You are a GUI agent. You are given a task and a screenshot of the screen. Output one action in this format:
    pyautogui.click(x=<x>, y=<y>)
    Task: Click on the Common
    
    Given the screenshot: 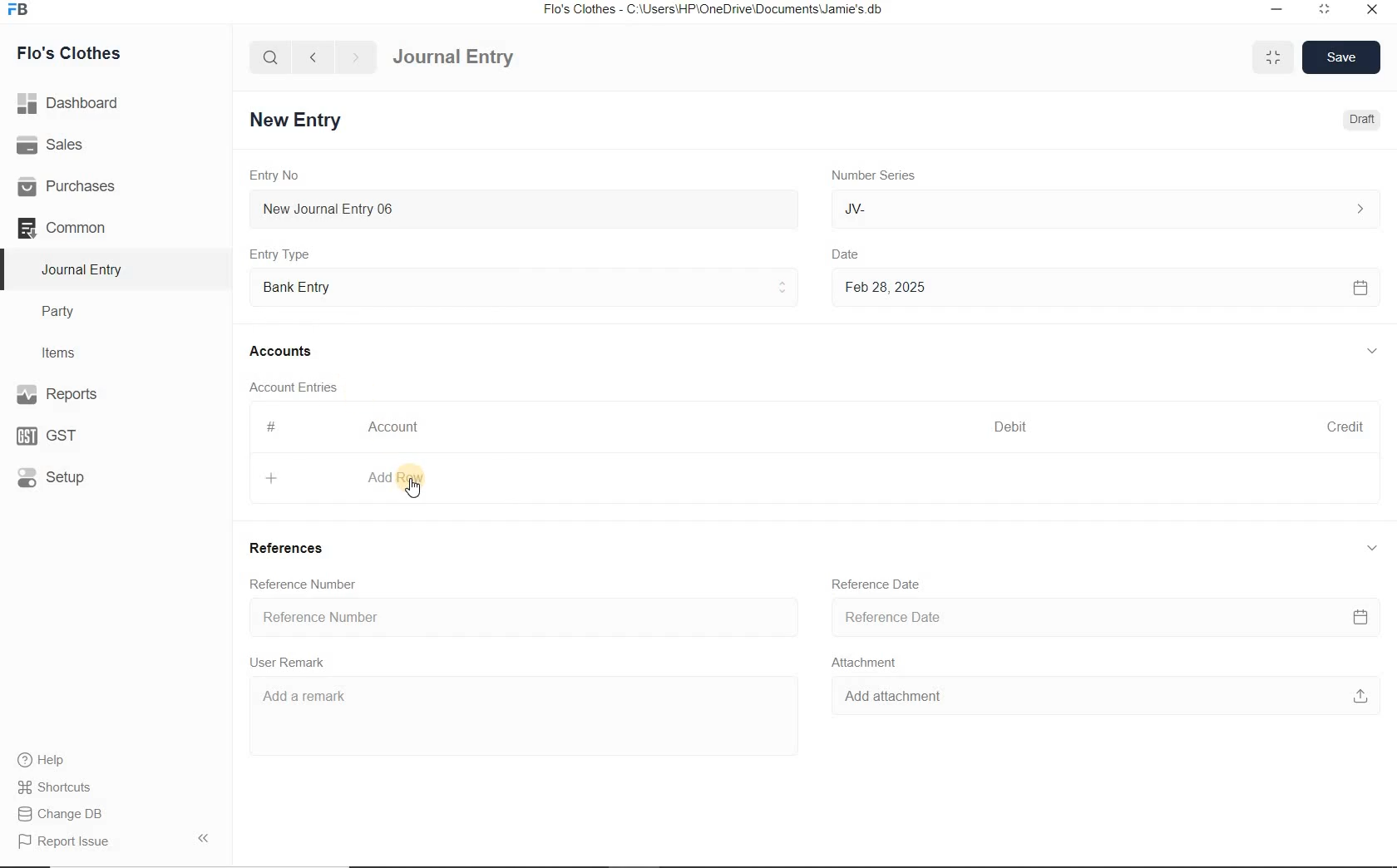 What is the action you would take?
    pyautogui.click(x=81, y=227)
    